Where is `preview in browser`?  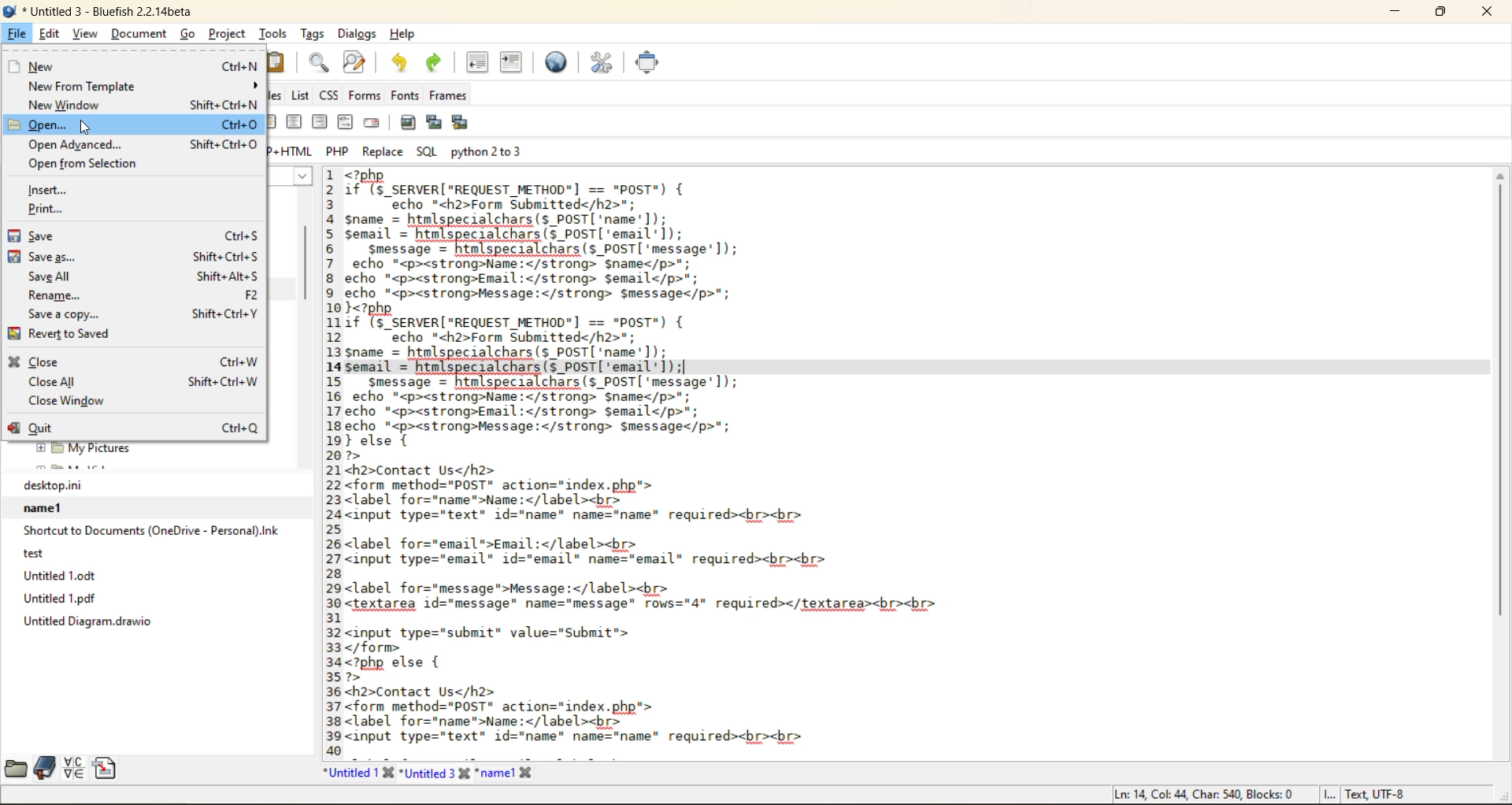
preview in browser is located at coordinates (560, 61).